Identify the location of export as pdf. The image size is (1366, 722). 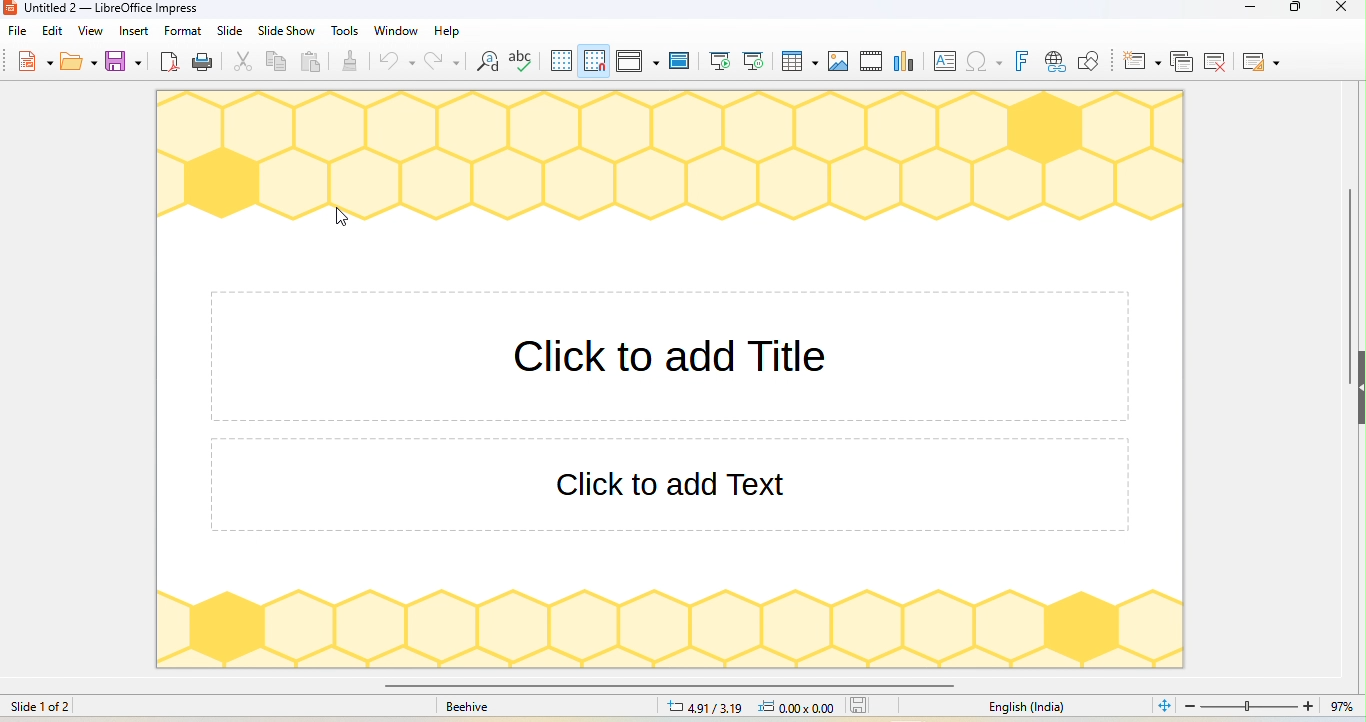
(171, 63).